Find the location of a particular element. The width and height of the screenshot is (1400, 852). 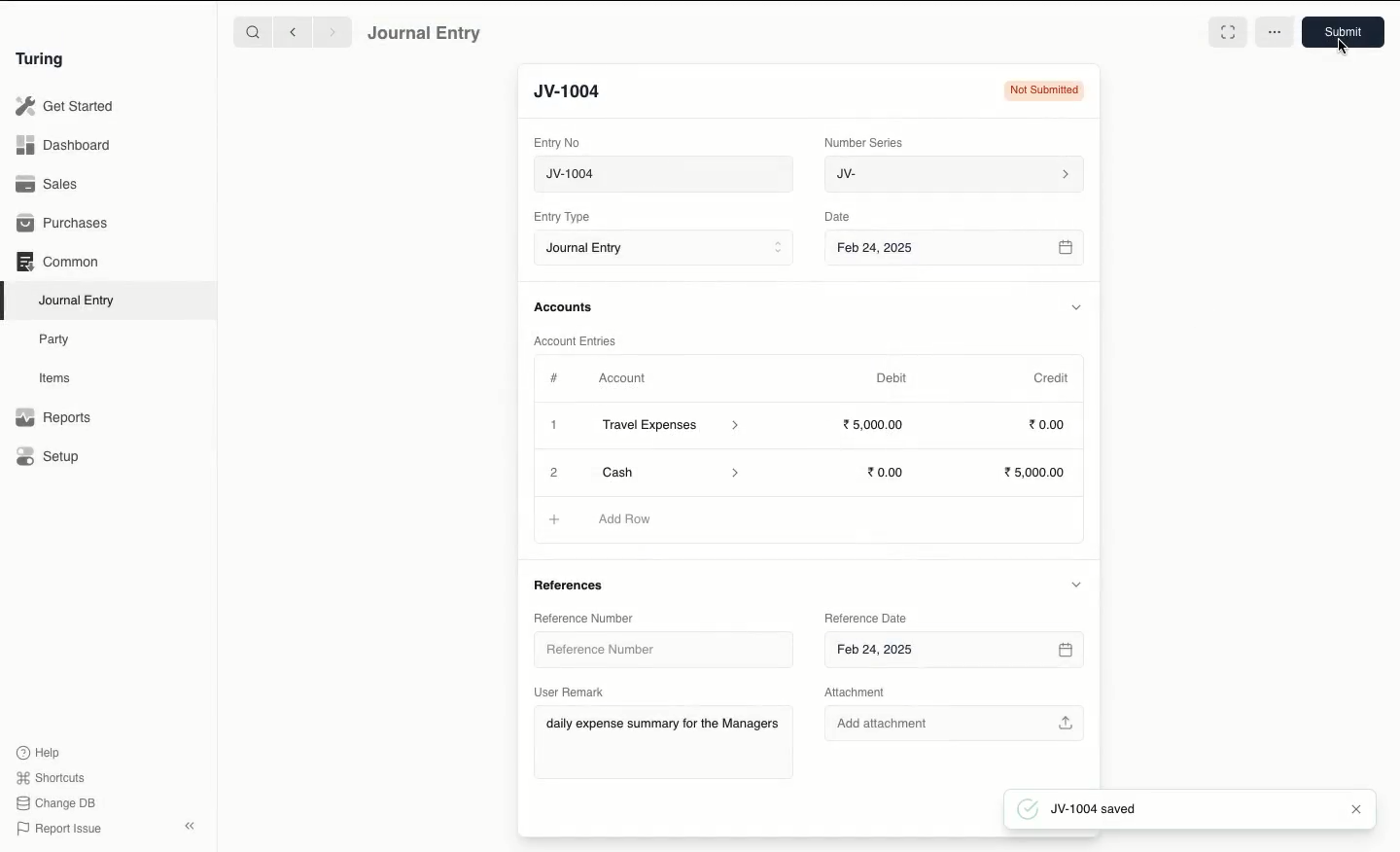

Date is located at coordinates (840, 216).